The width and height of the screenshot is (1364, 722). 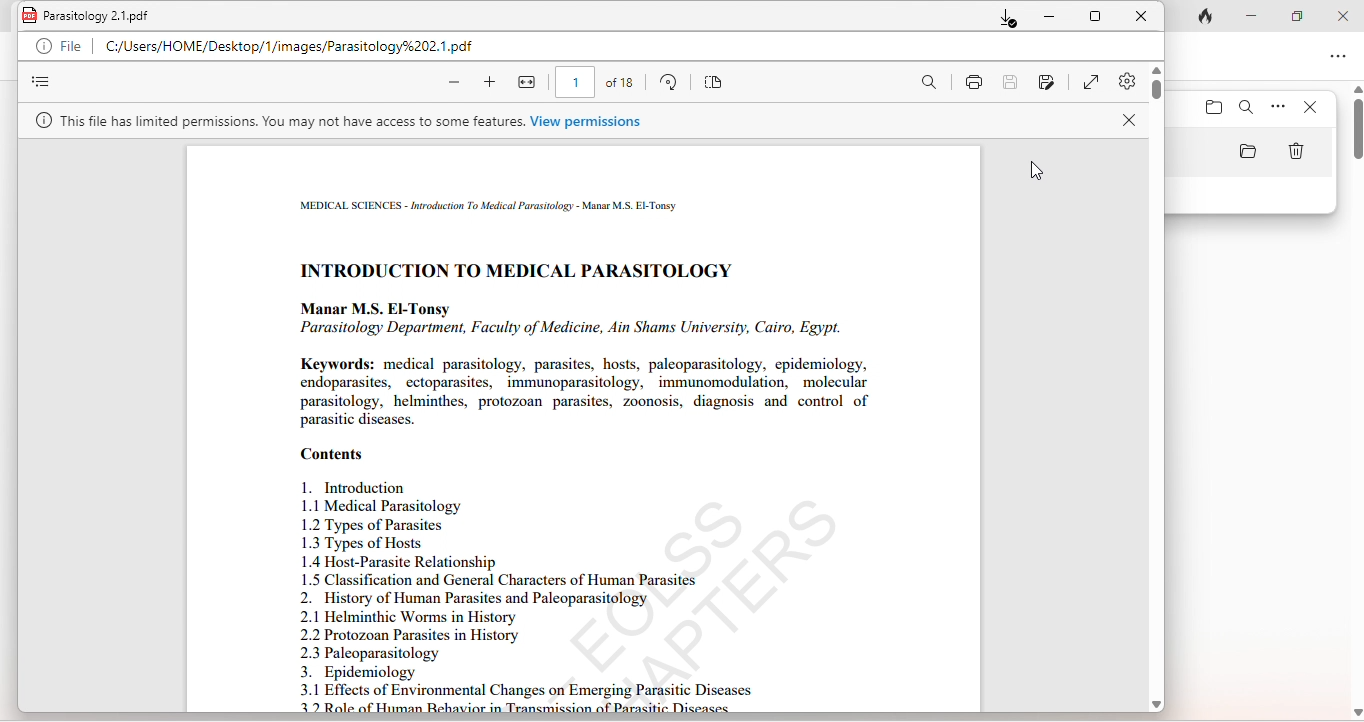 What do you see at coordinates (593, 82) in the screenshot?
I see `1 of 10` at bounding box center [593, 82].